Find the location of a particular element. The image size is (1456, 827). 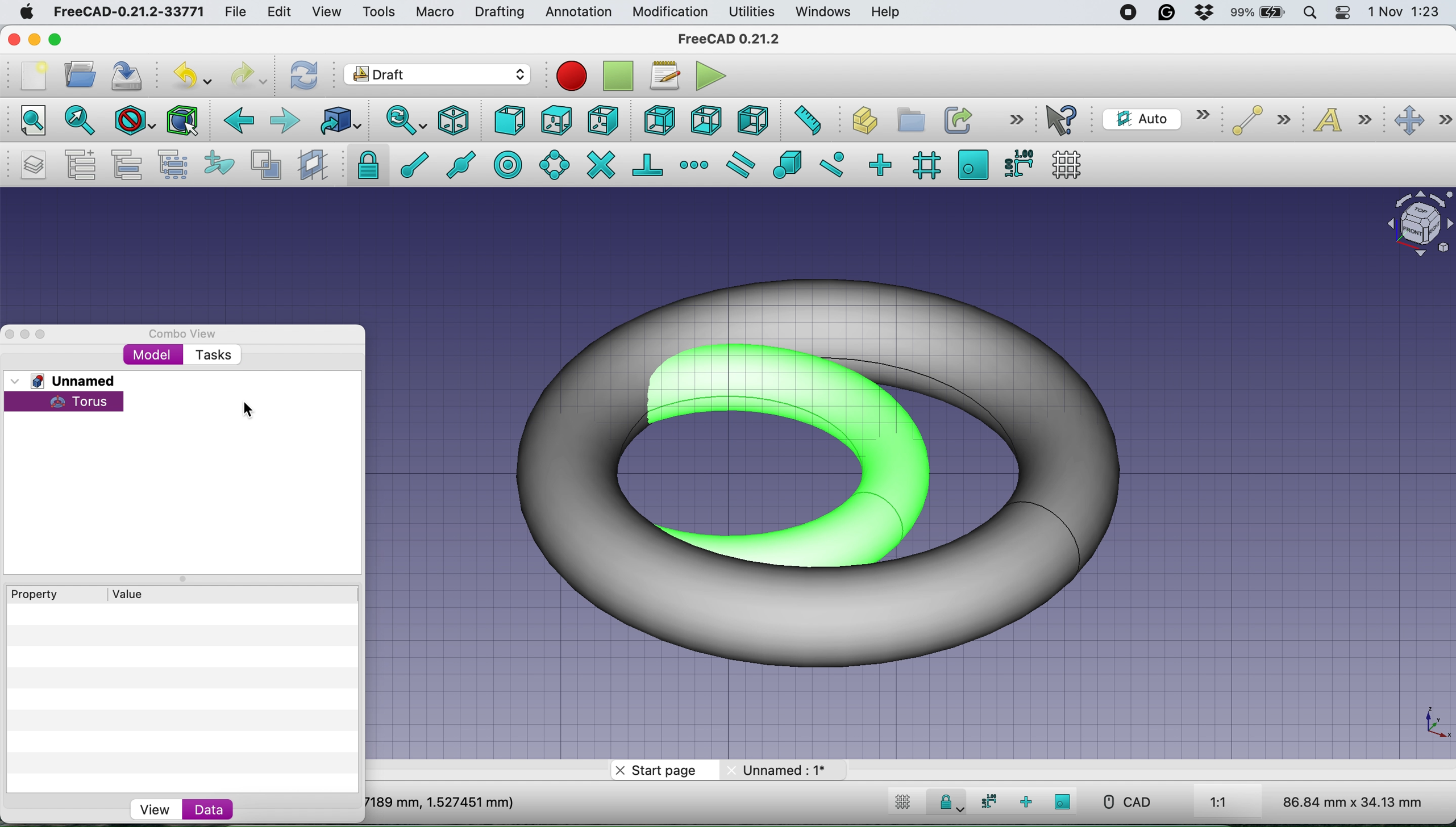

redo is located at coordinates (248, 76).